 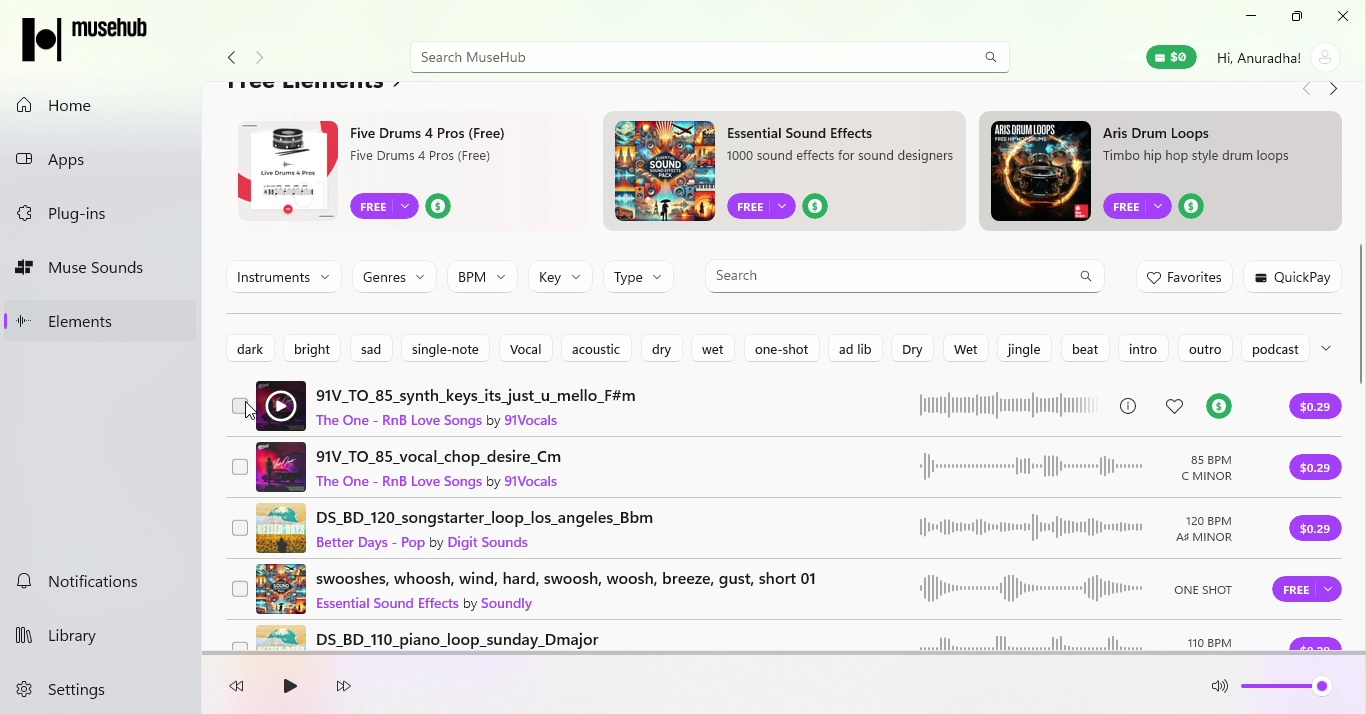 I want to click on Favorites, so click(x=1187, y=278).